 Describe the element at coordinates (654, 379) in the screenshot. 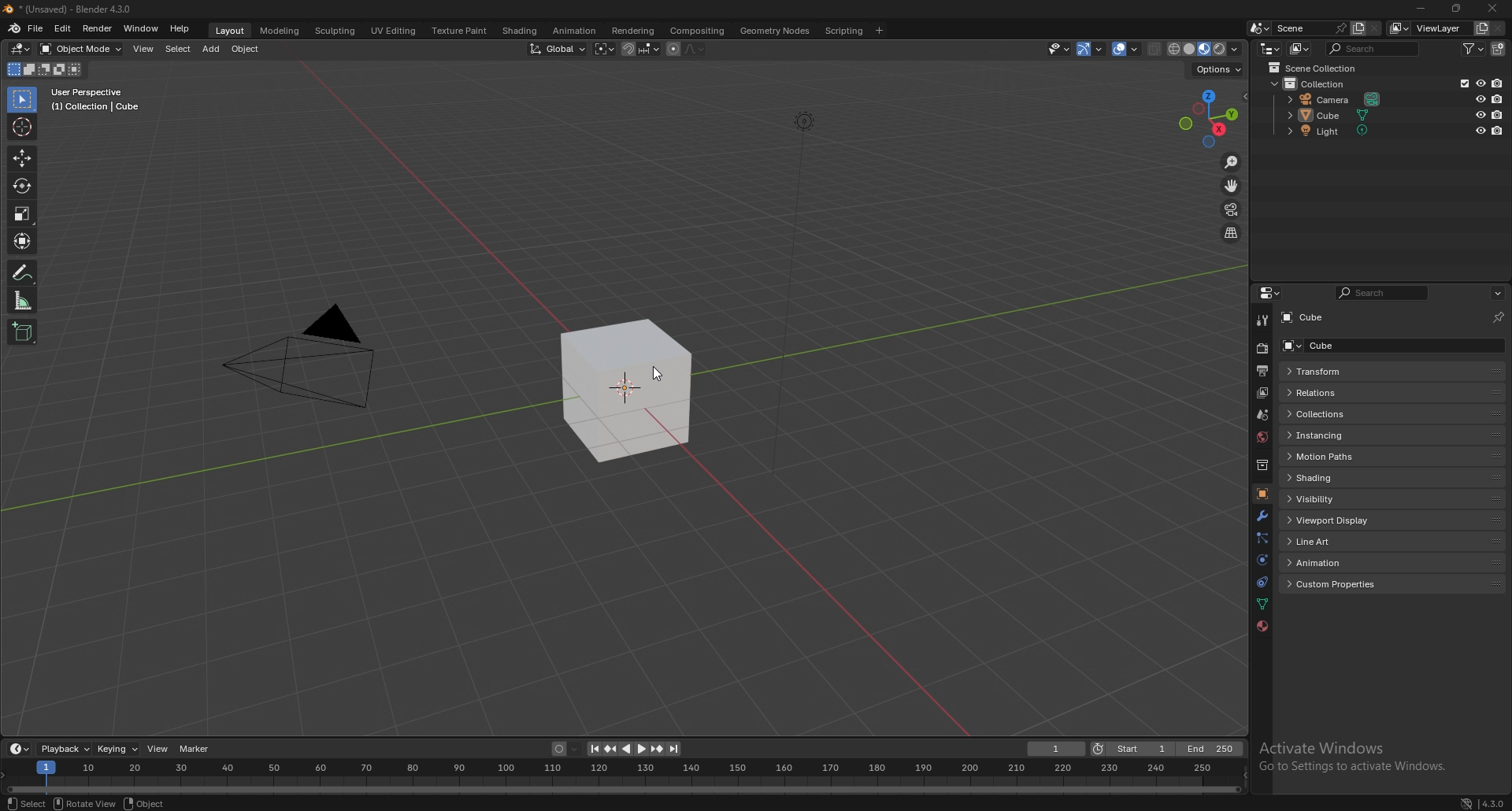

I see `cursor` at that location.